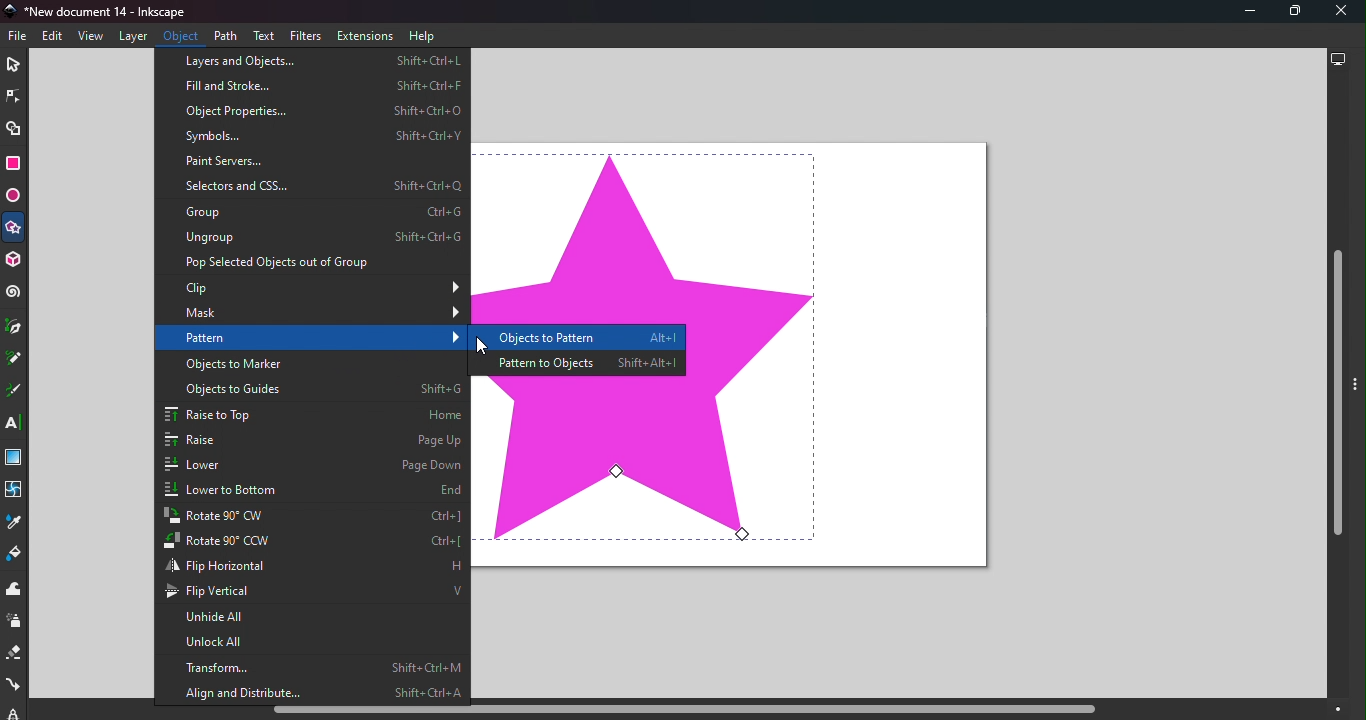 The image size is (1366, 720). I want to click on Toggle command panel, so click(1358, 395).